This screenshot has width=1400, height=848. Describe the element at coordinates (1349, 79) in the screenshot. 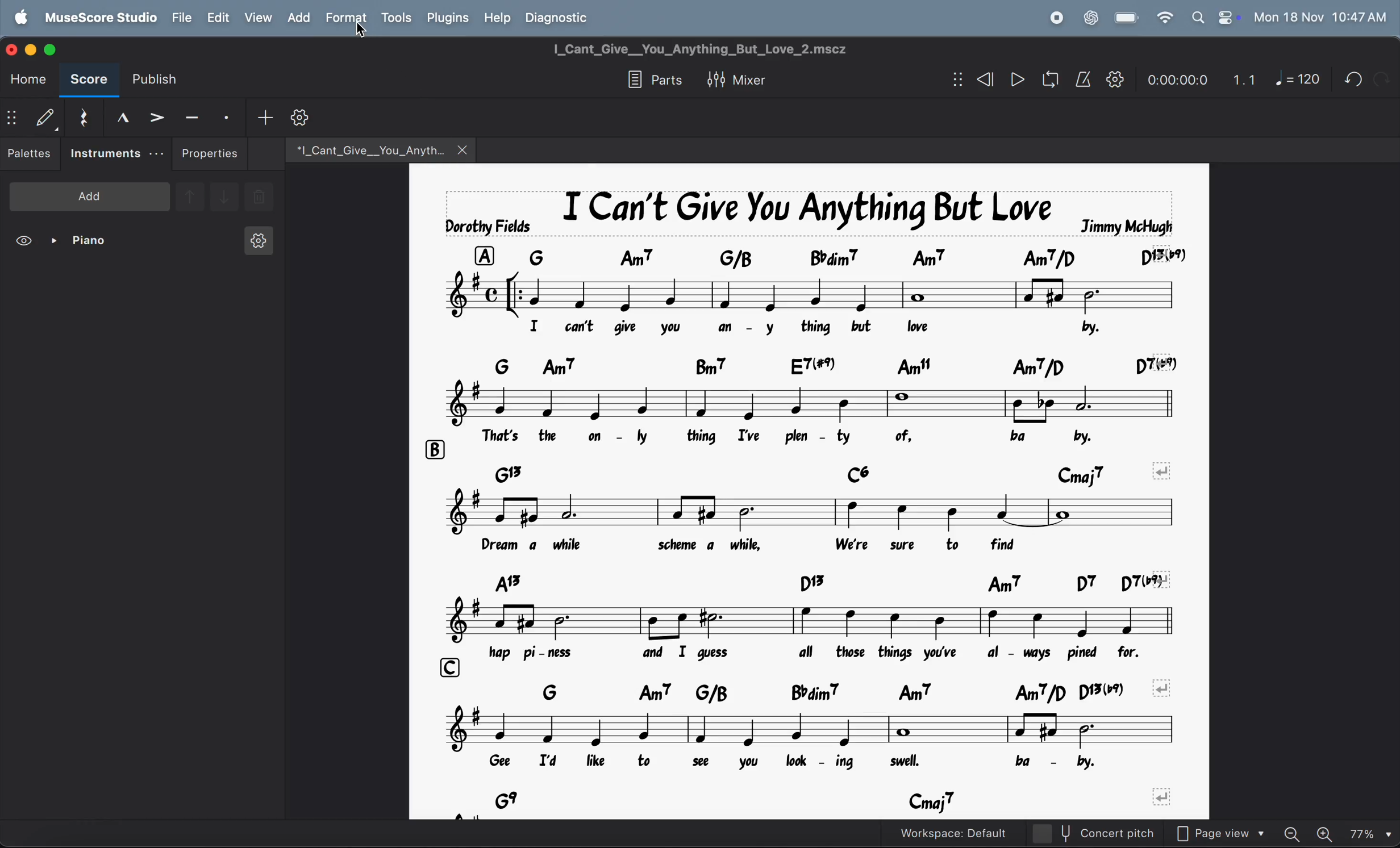

I see `redo` at that location.